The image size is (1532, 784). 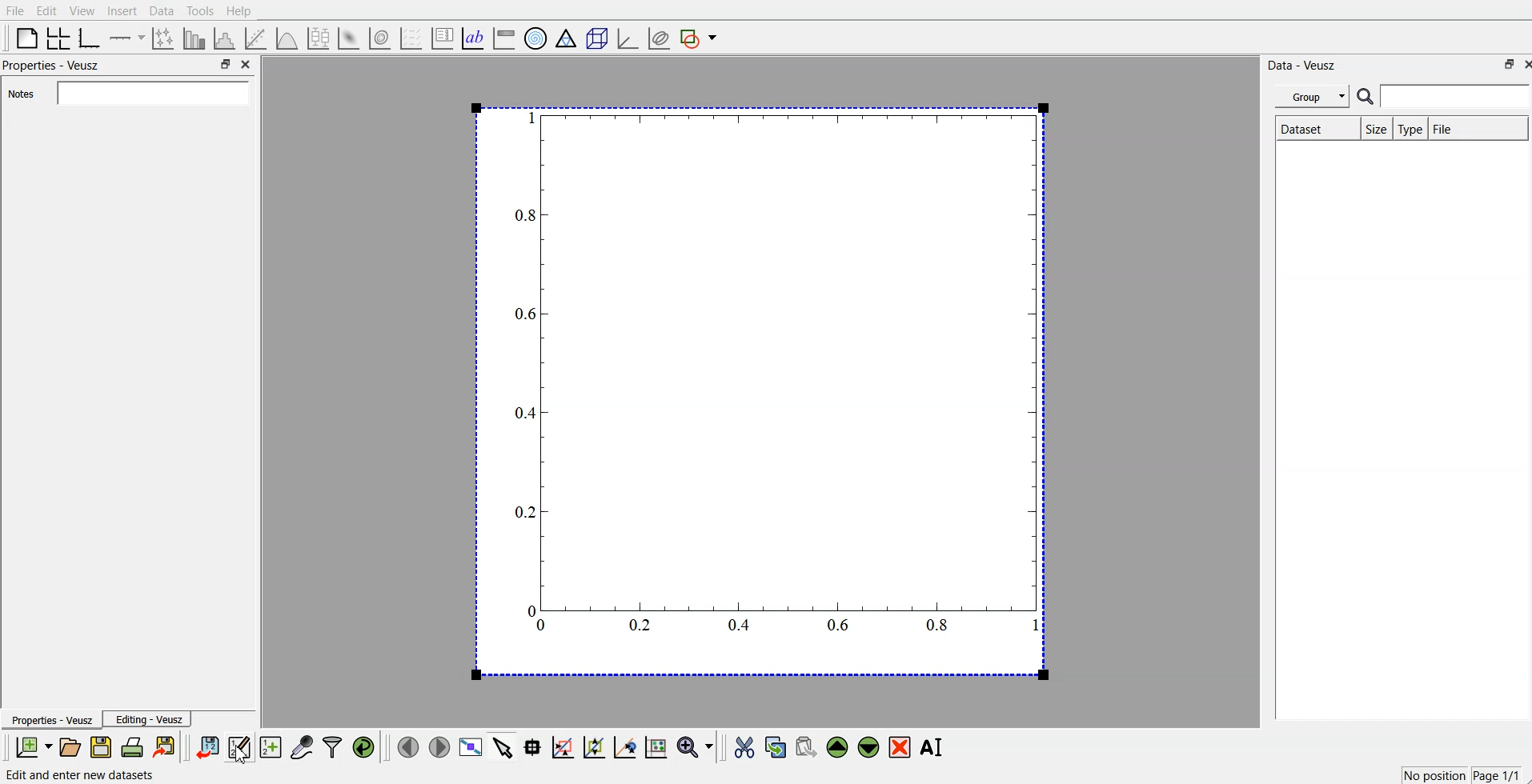 What do you see at coordinates (409, 746) in the screenshot?
I see `move to previous page` at bounding box center [409, 746].